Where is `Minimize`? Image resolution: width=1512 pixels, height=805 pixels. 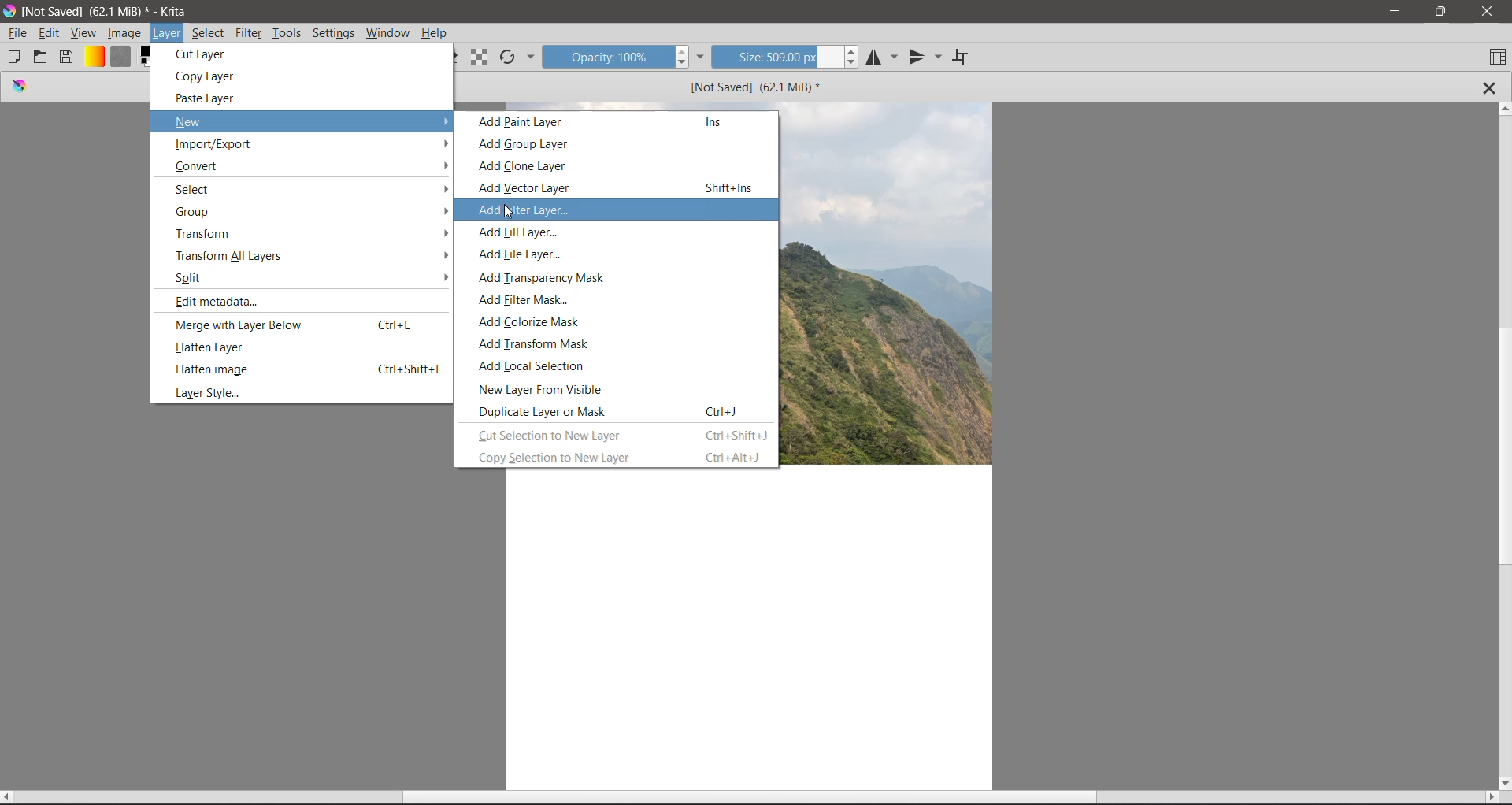 Minimize is located at coordinates (1392, 9).